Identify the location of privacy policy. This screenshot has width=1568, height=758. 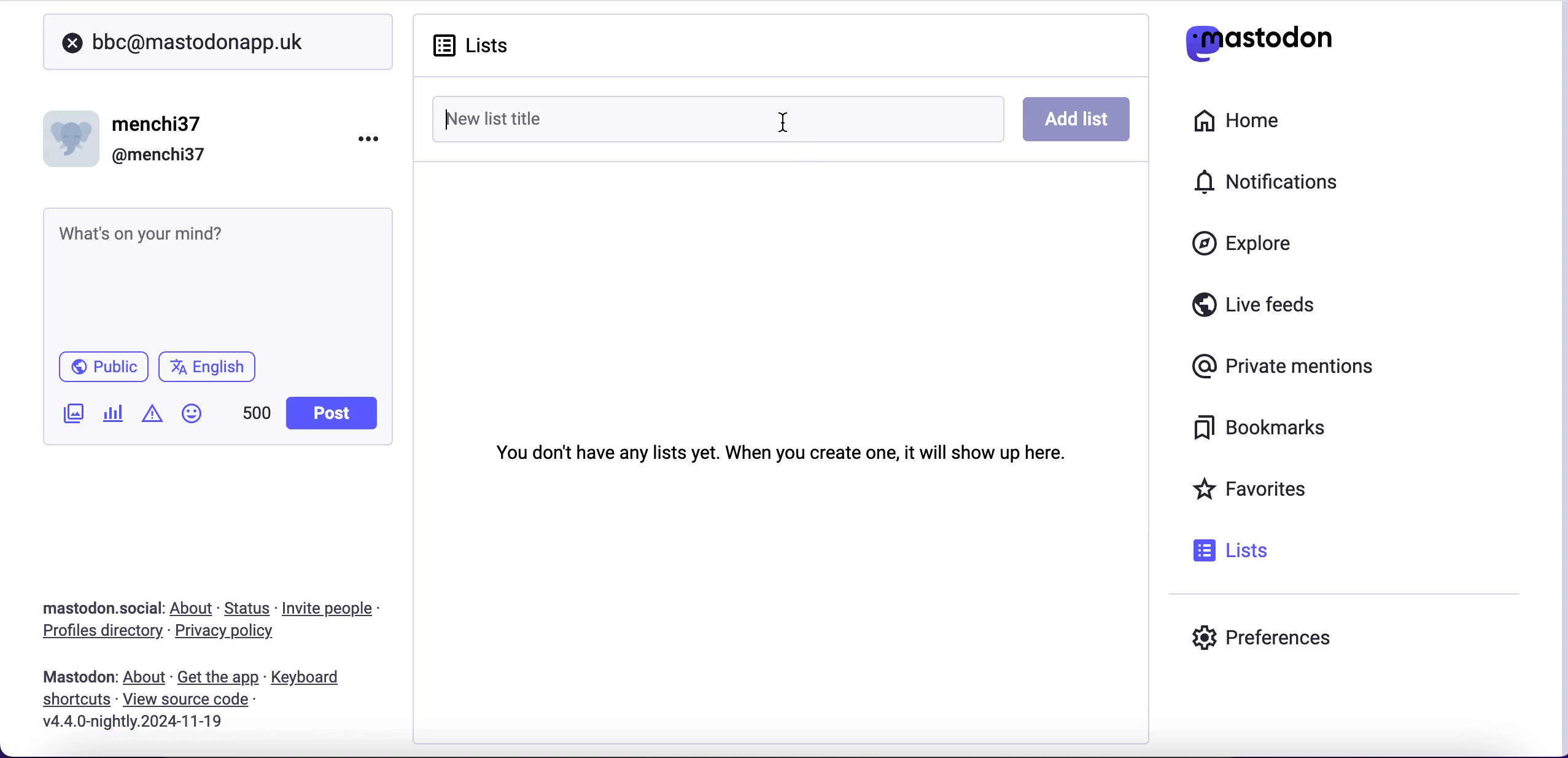
(235, 633).